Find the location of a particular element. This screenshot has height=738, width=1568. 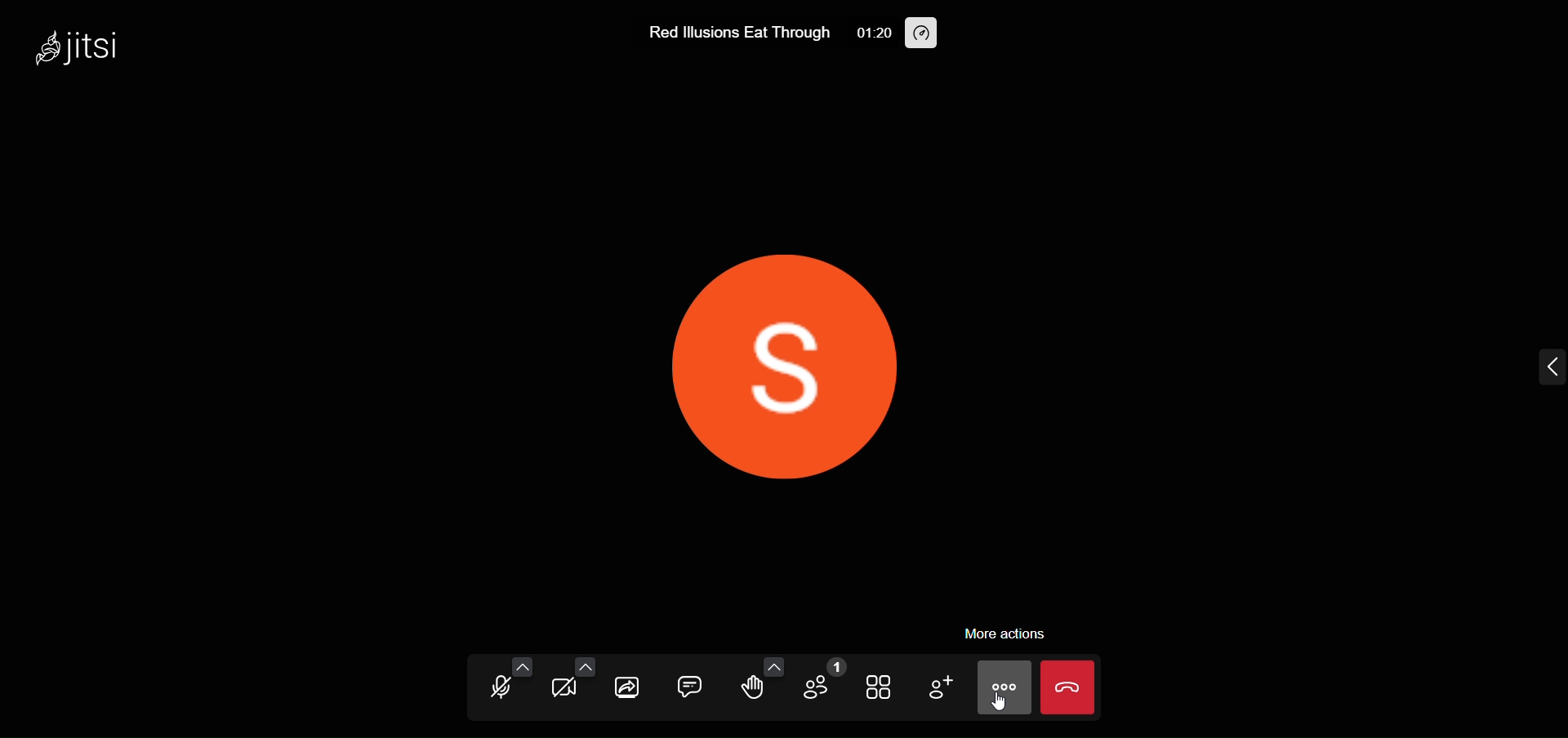

chat is located at coordinates (689, 682).